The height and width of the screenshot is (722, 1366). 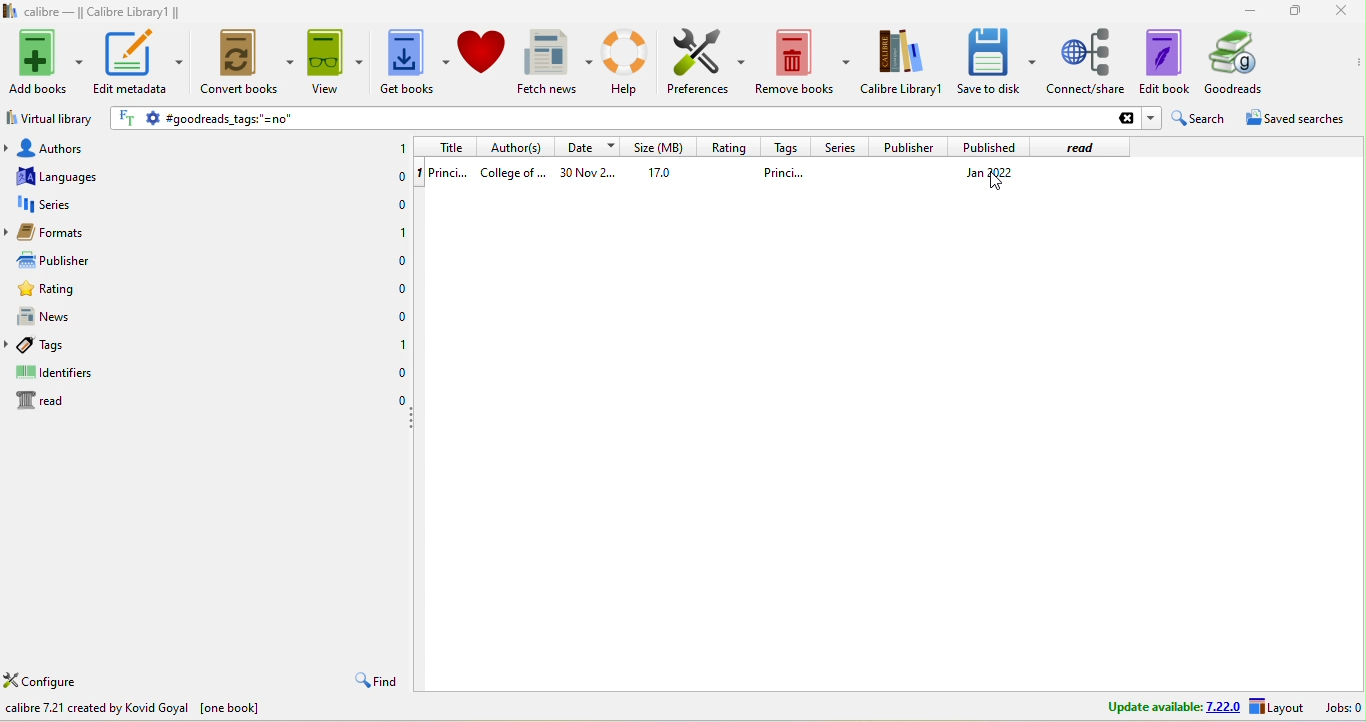 I want to click on 0, so click(x=400, y=371).